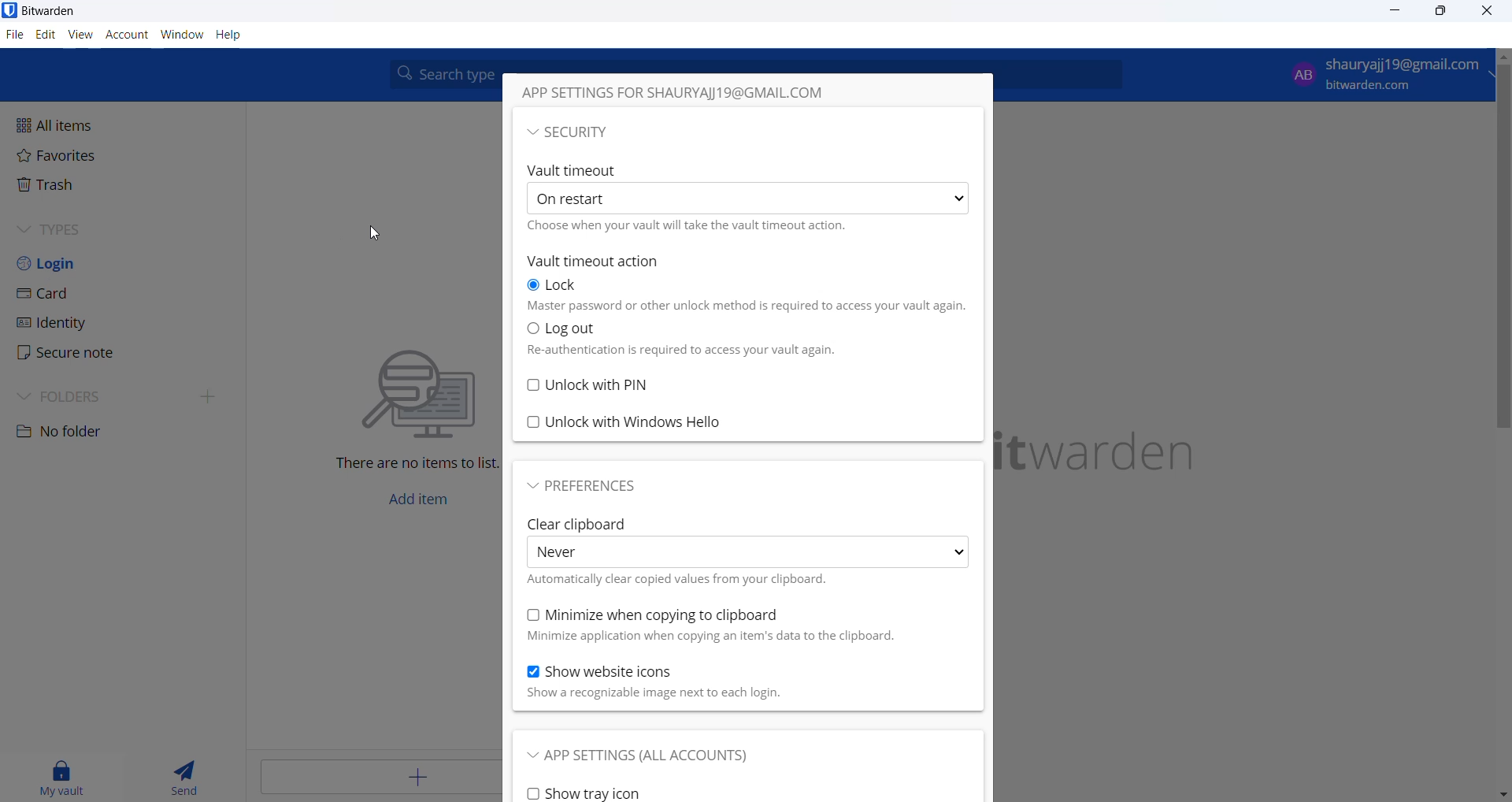 The height and width of the screenshot is (802, 1512). I want to click on vault timeout , so click(574, 168).